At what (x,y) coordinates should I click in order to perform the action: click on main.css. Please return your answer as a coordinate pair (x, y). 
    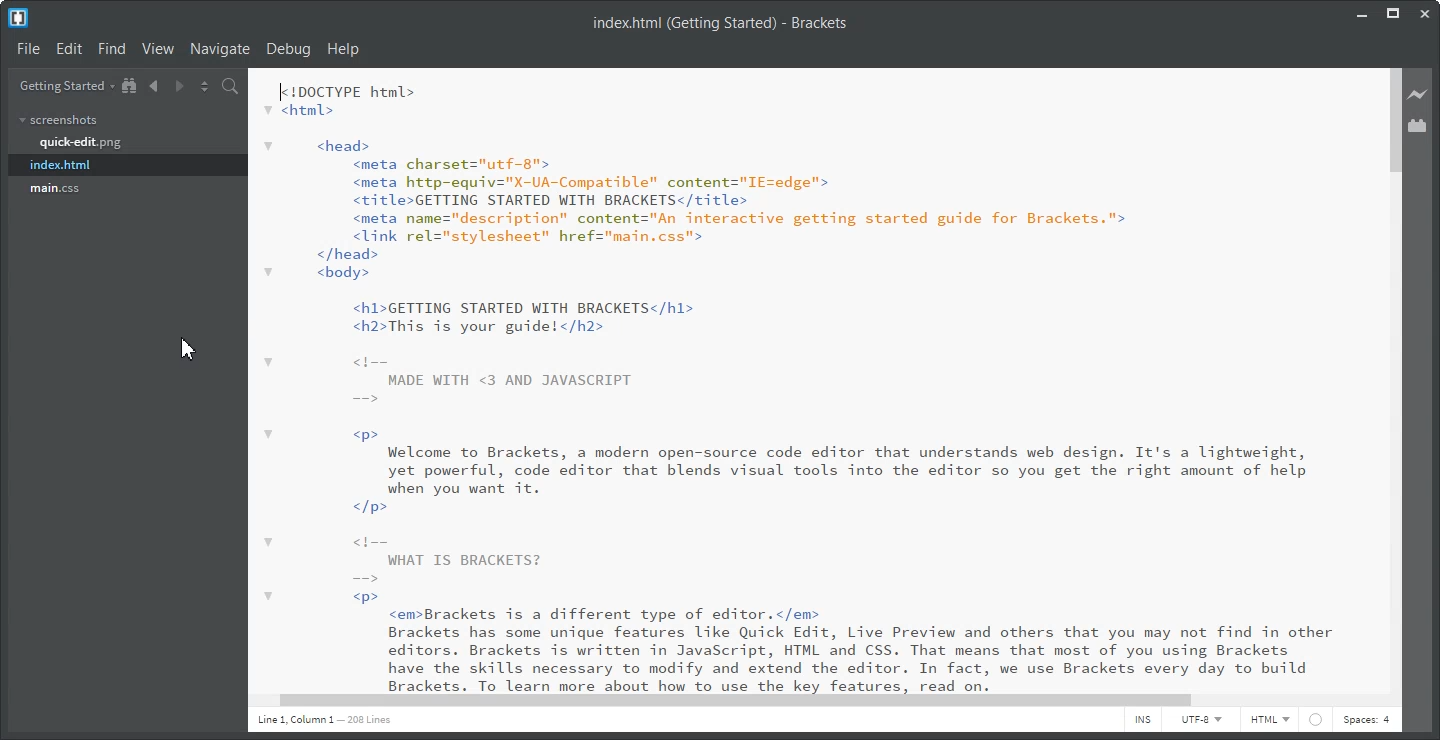
    Looking at the image, I should click on (55, 189).